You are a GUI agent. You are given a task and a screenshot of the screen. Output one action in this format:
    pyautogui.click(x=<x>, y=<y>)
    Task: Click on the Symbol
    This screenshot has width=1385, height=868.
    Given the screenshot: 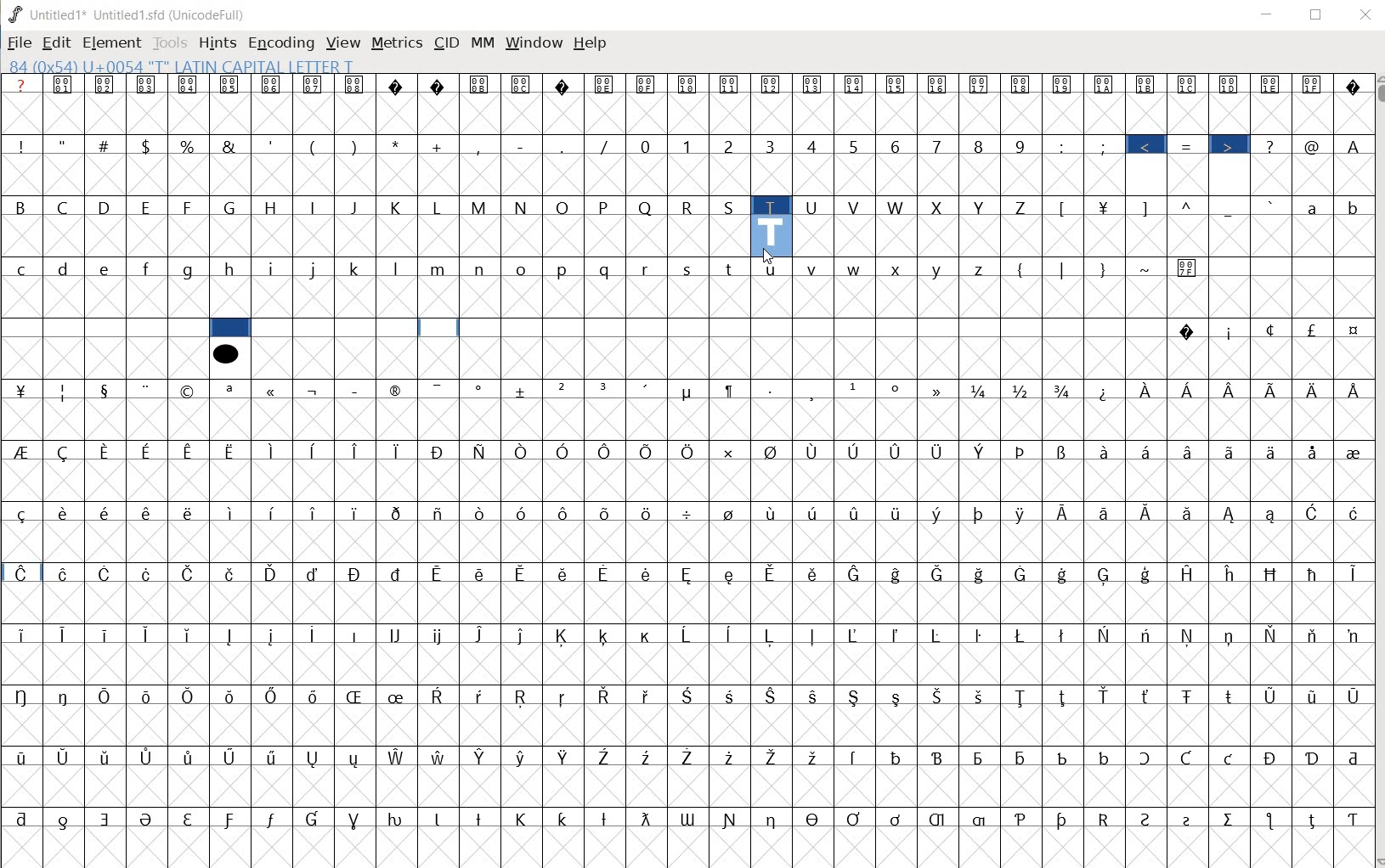 What is the action you would take?
    pyautogui.click(x=1234, y=574)
    